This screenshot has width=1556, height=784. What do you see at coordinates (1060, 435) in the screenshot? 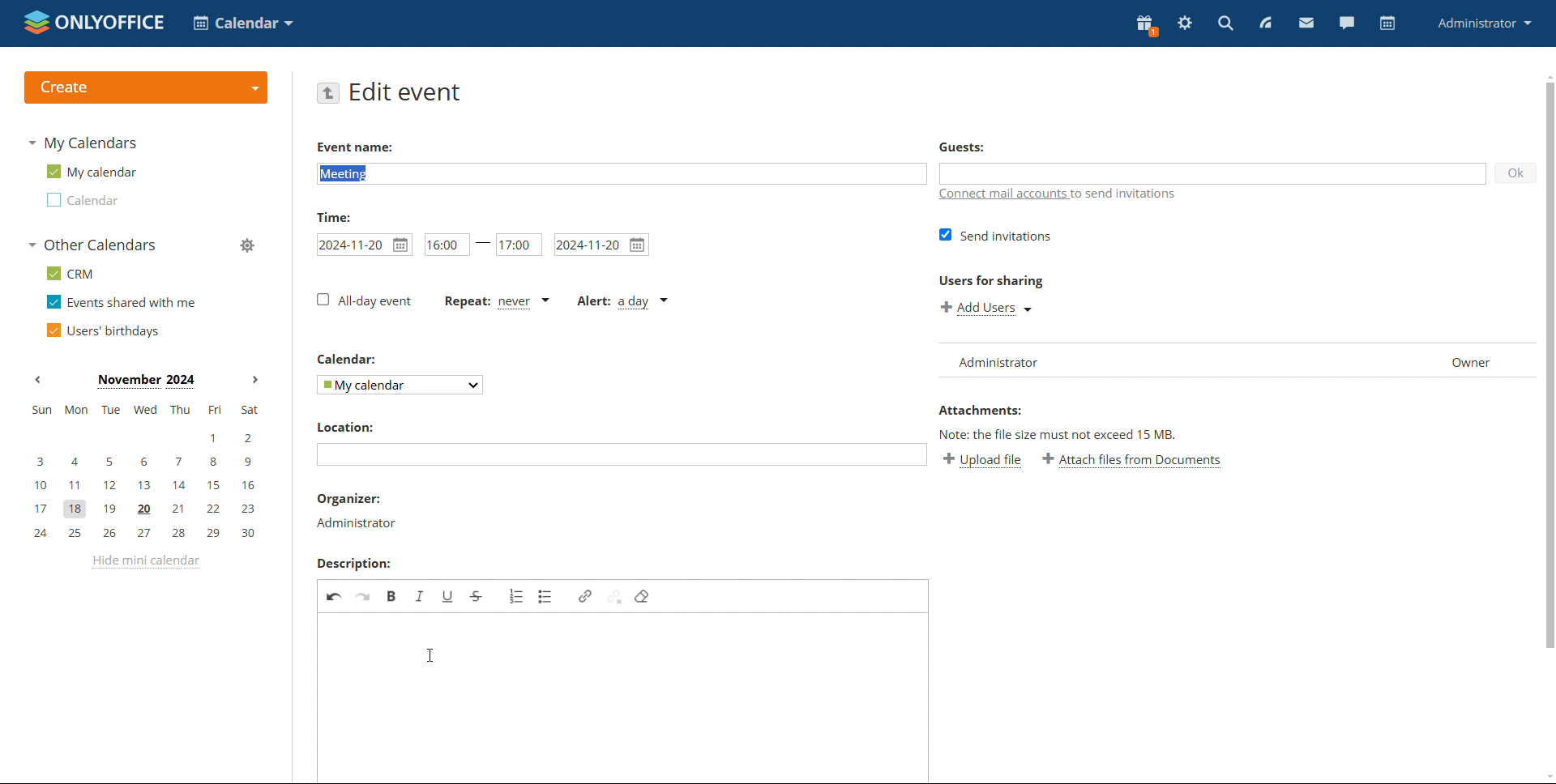
I see `note: the file size must not exceed 15 mb` at bounding box center [1060, 435].